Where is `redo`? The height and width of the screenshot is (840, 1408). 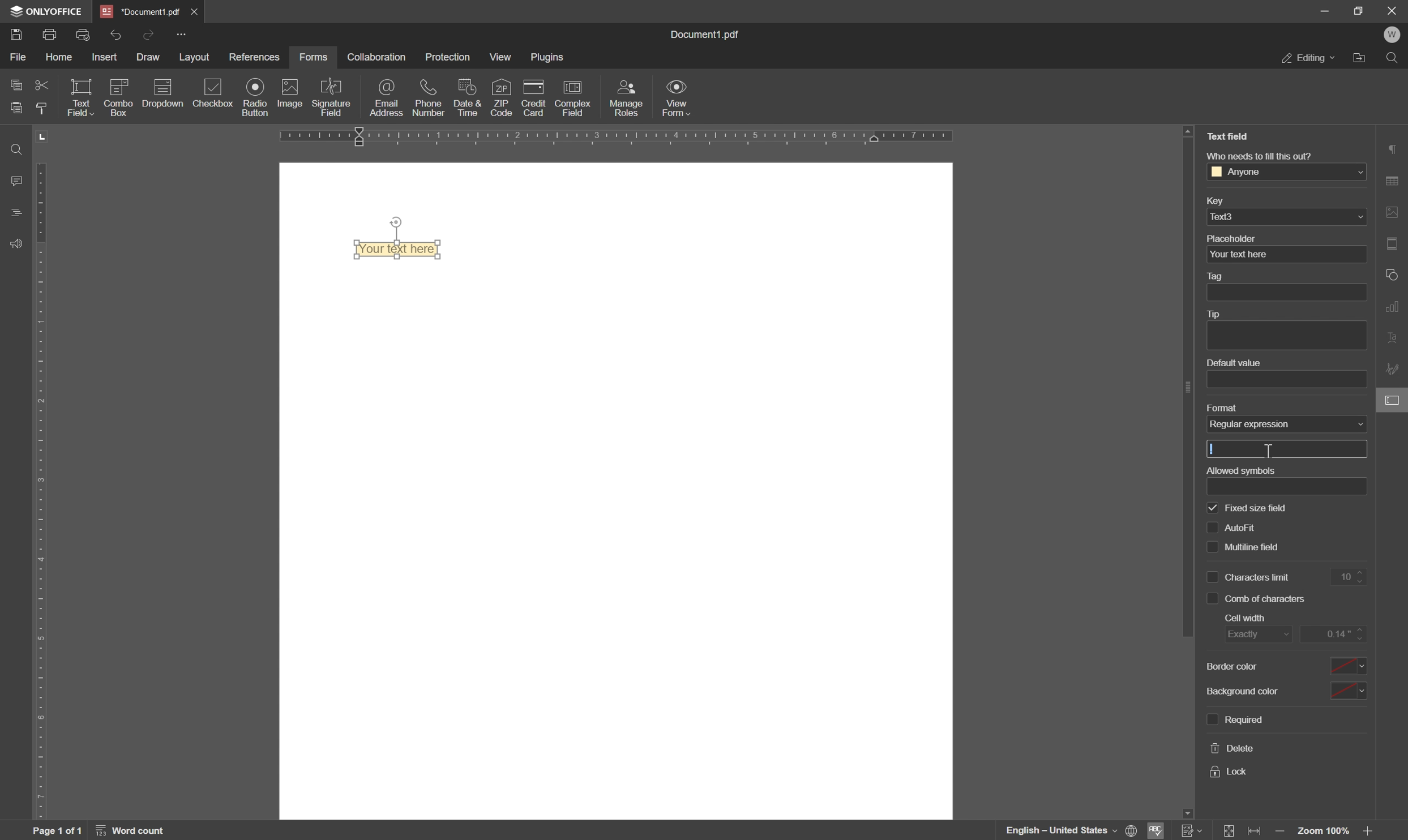 redo is located at coordinates (149, 33).